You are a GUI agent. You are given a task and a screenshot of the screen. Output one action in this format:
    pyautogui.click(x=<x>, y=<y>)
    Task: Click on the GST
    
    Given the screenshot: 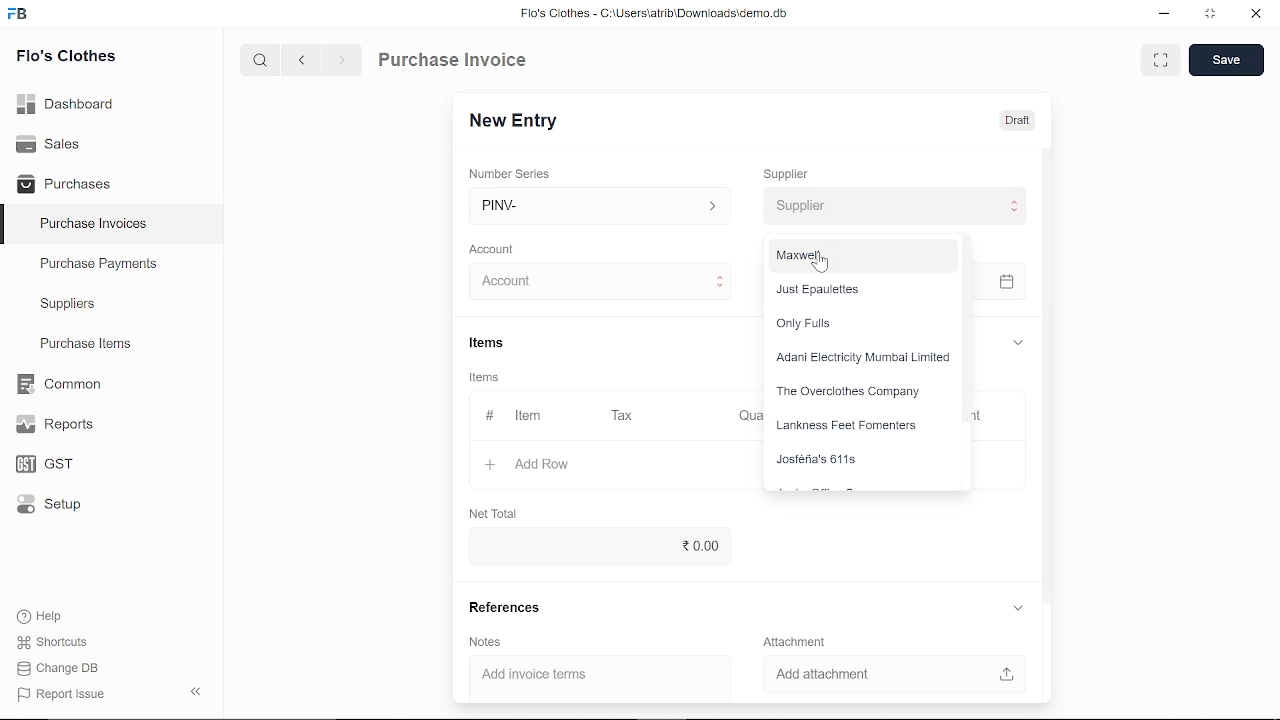 What is the action you would take?
    pyautogui.click(x=38, y=465)
    